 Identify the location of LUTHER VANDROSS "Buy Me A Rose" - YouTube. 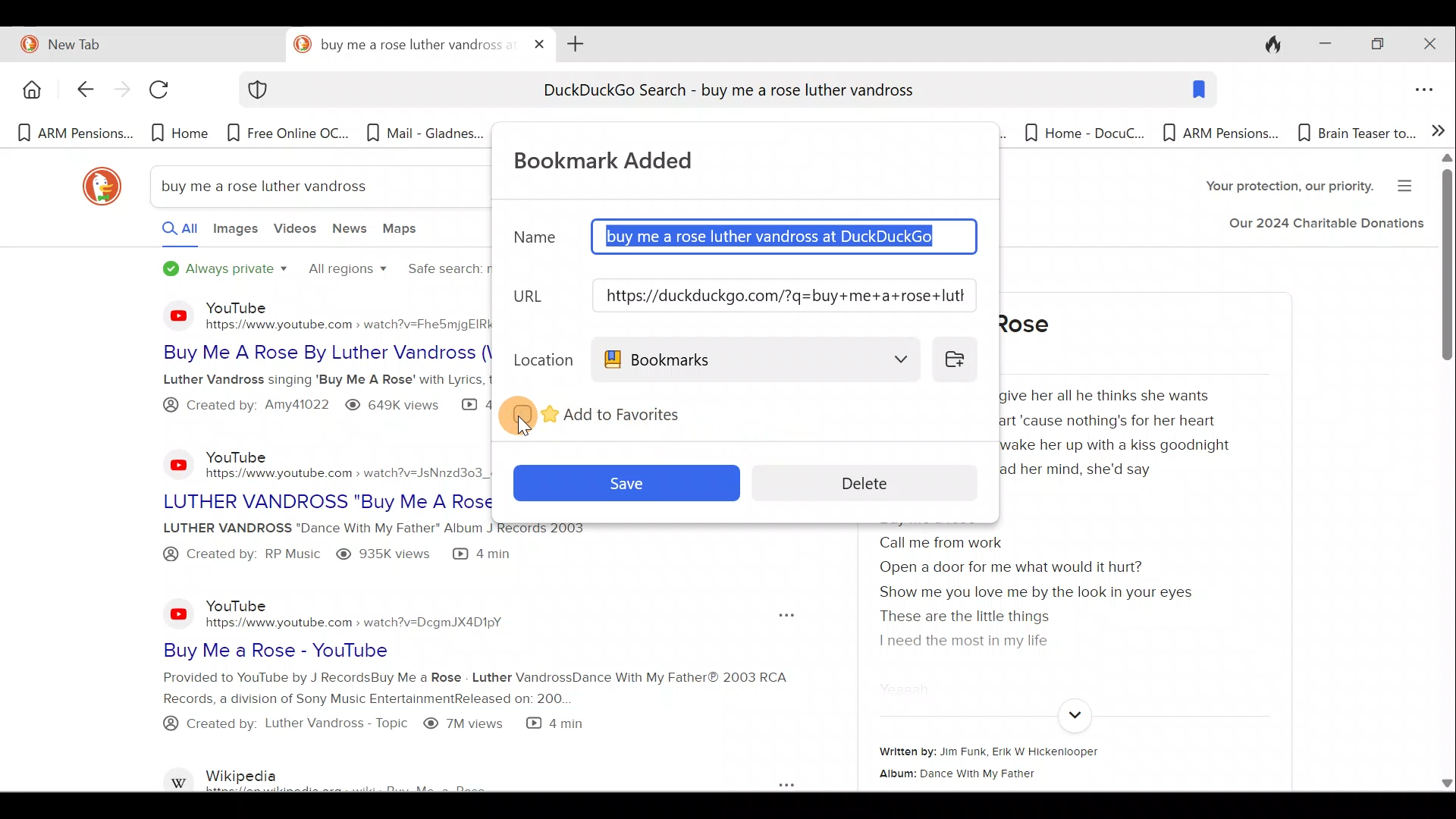
(325, 497).